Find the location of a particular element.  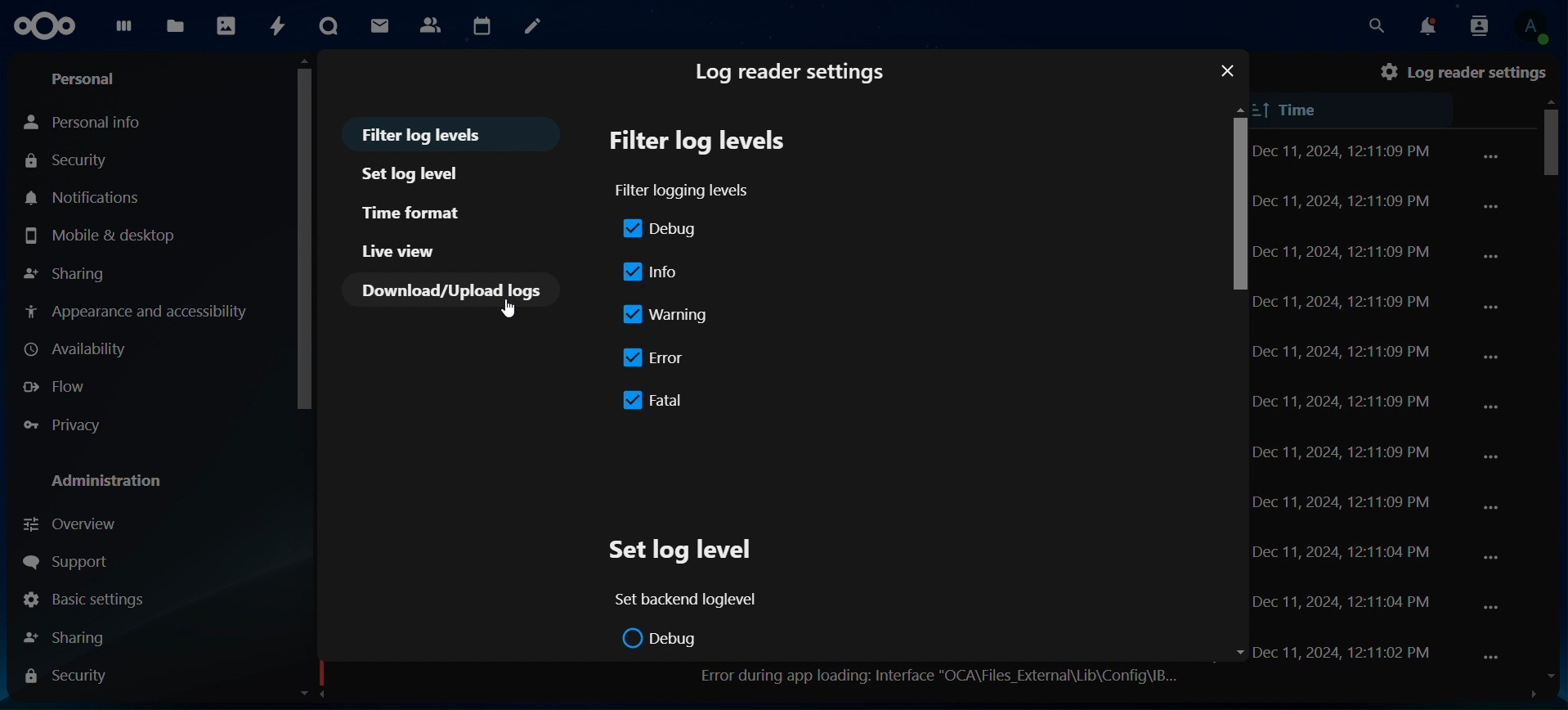

scrollbar is located at coordinates (1552, 156).